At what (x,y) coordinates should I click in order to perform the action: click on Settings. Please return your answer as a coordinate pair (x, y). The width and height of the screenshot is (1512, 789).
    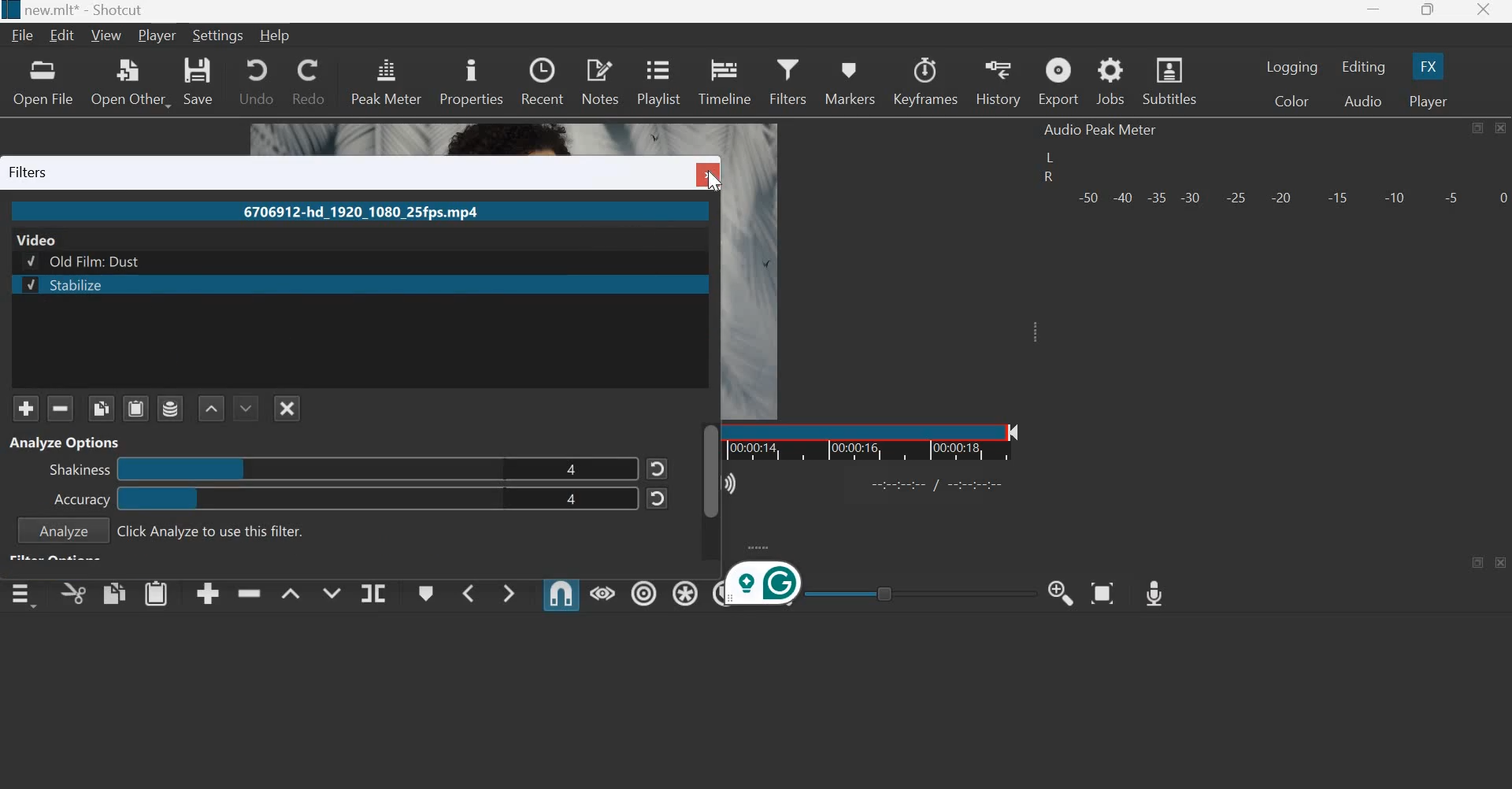
    Looking at the image, I should click on (220, 35).